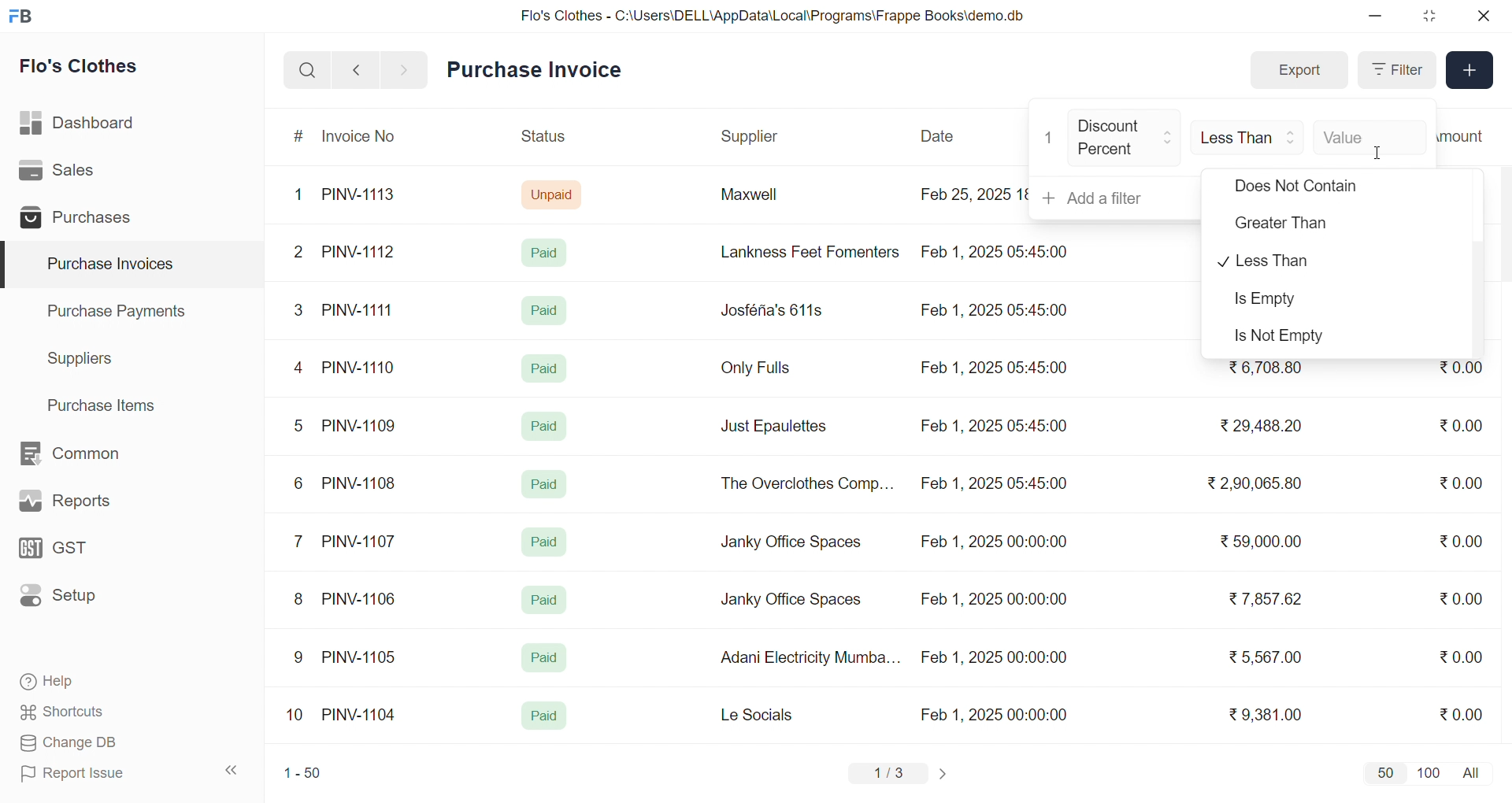 Image resolution: width=1512 pixels, height=803 pixels. What do you see at coordinates (1125, 139) in the screenshot?
I see `Discount Percent` at bounding box center [1125, 139].